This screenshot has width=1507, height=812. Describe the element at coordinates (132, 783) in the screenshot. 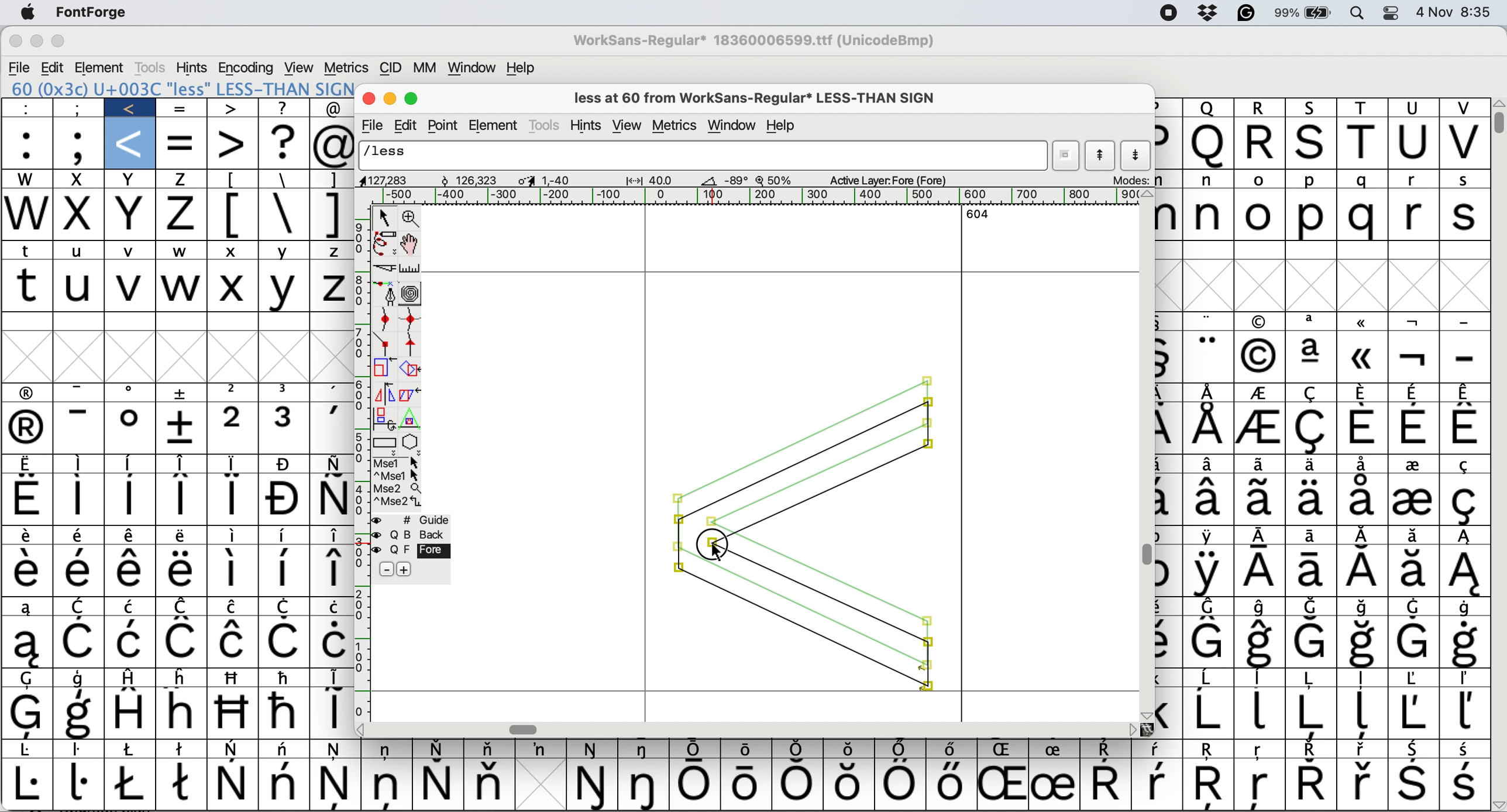

I see `Symbol` at that location.